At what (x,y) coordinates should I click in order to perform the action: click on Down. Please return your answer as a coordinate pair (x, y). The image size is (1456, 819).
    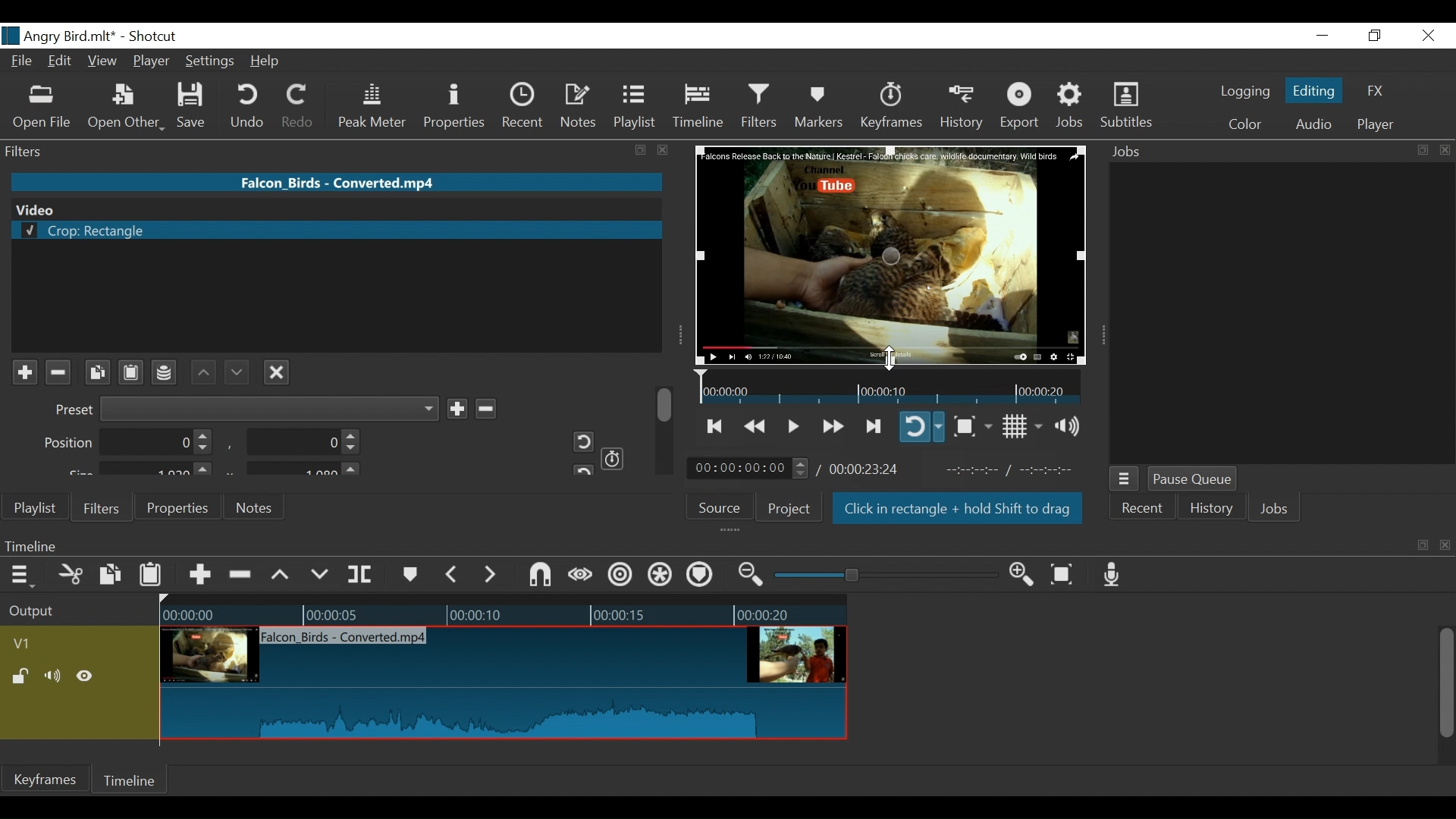
    Looking at the image, I should click on (234, 369).